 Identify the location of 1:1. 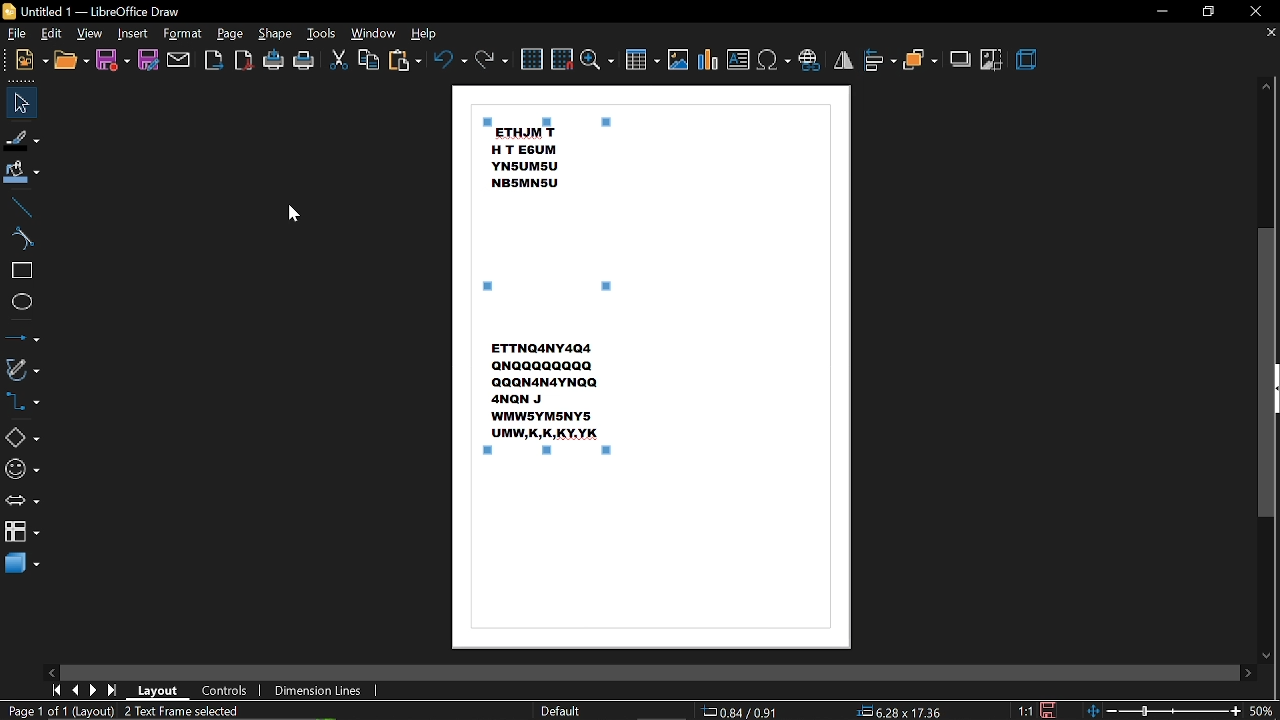
(1023, 710).